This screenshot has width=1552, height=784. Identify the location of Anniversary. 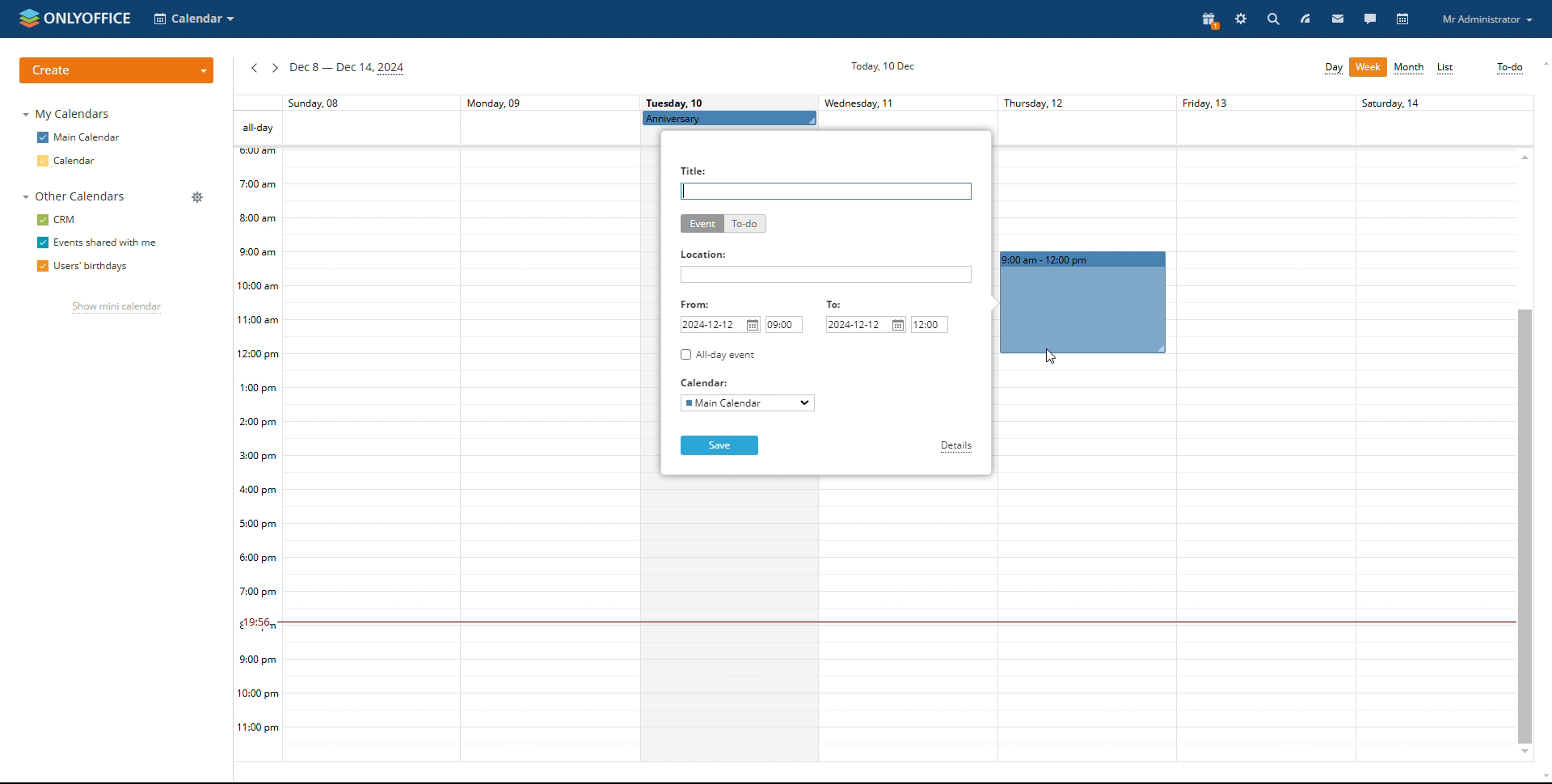
(691, 119).